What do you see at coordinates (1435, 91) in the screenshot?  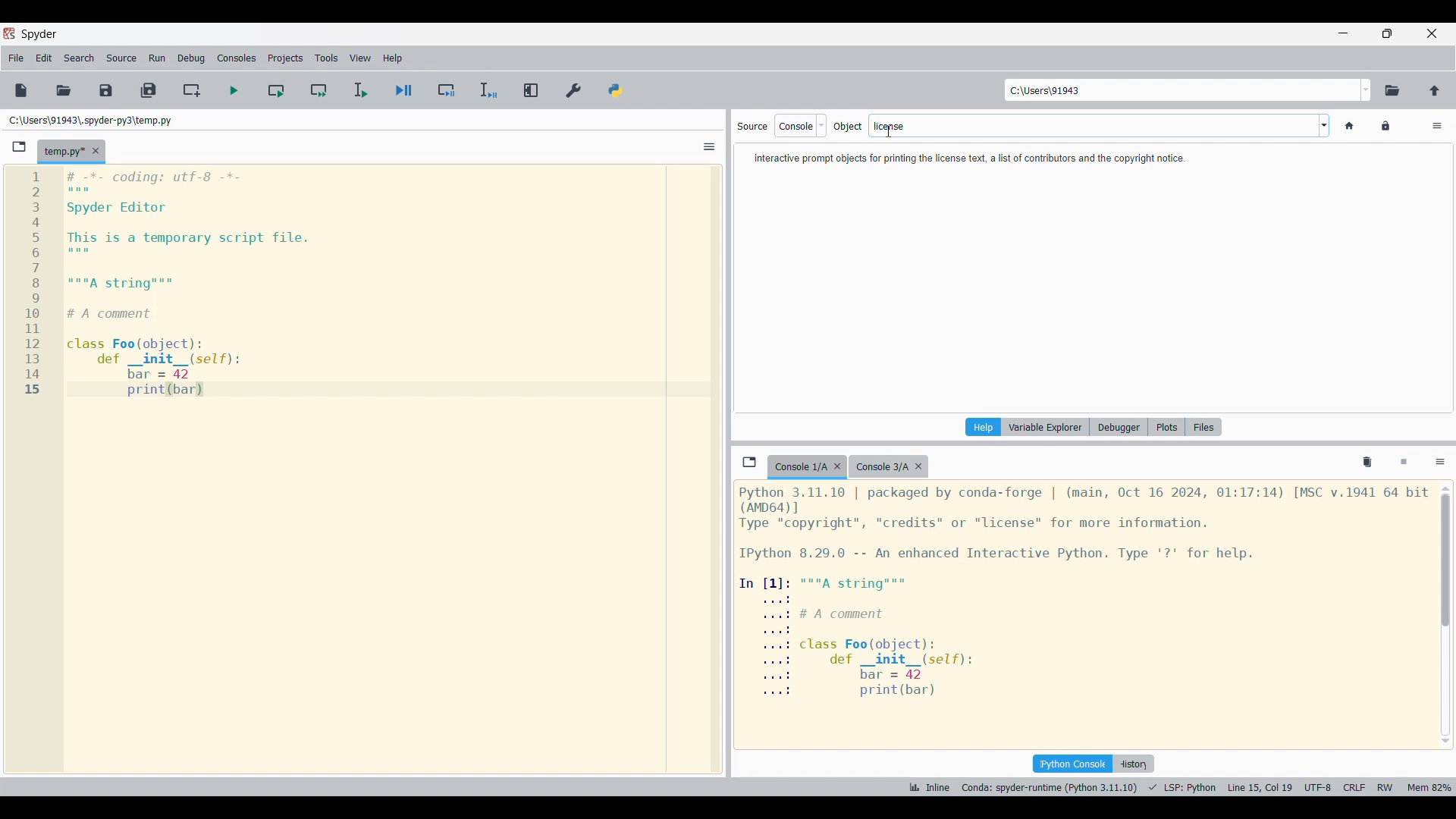 I see `Change to parent directory` at bounding box center [1435, 91].